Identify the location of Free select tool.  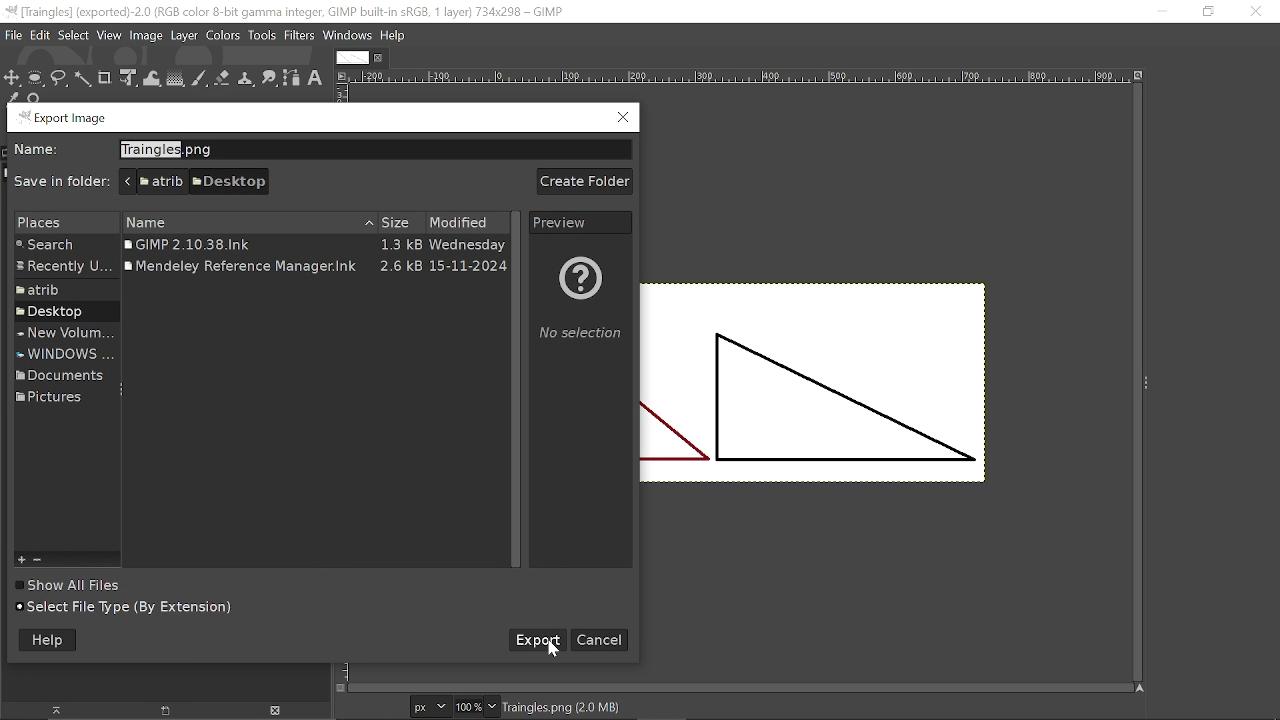
(59, 79).